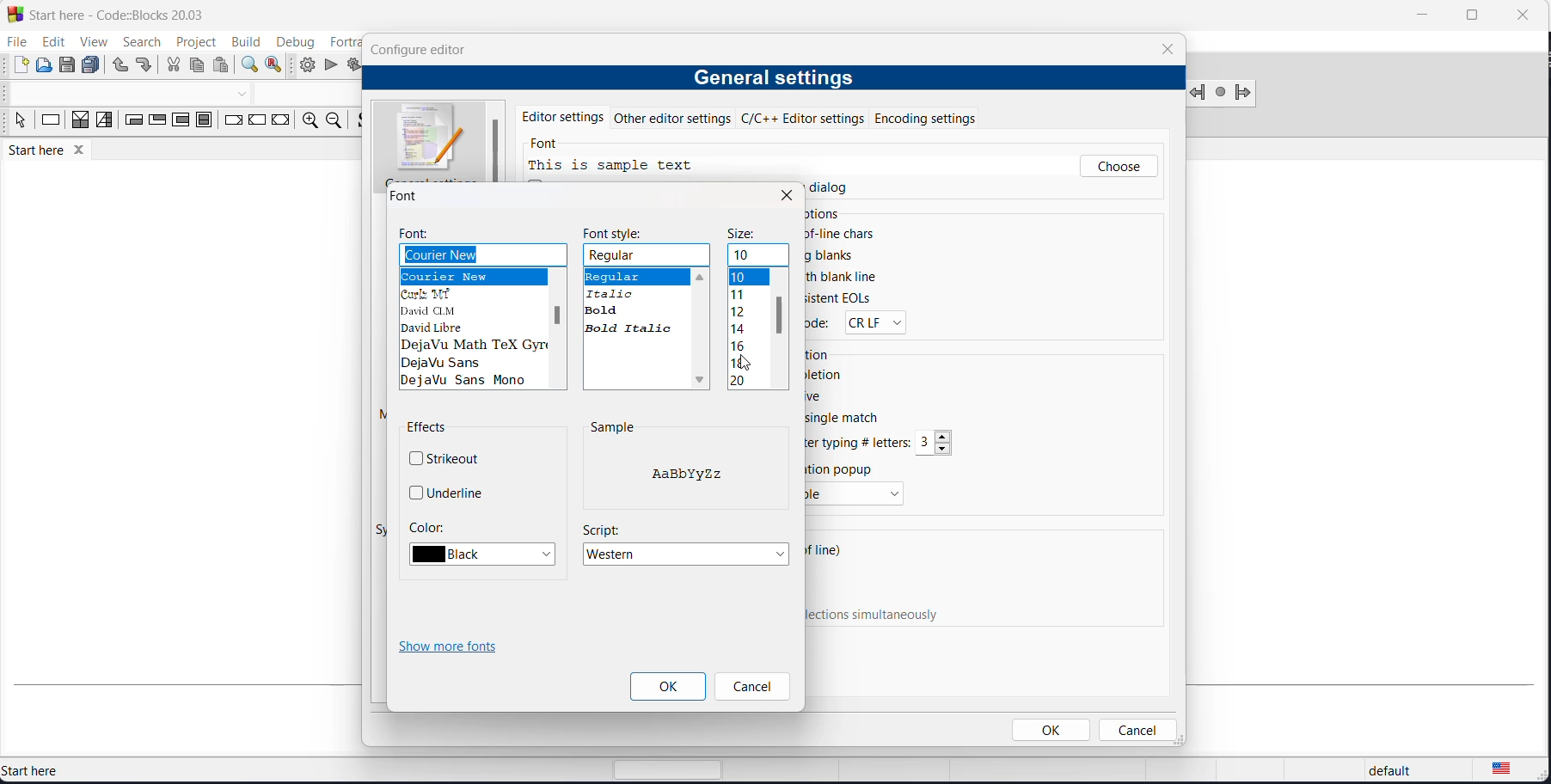 This screenshot has height=784, width=1551. What do you see at coordinates (135, 42) in the screenshot?
I see `search` at bounding box center [135, 42].